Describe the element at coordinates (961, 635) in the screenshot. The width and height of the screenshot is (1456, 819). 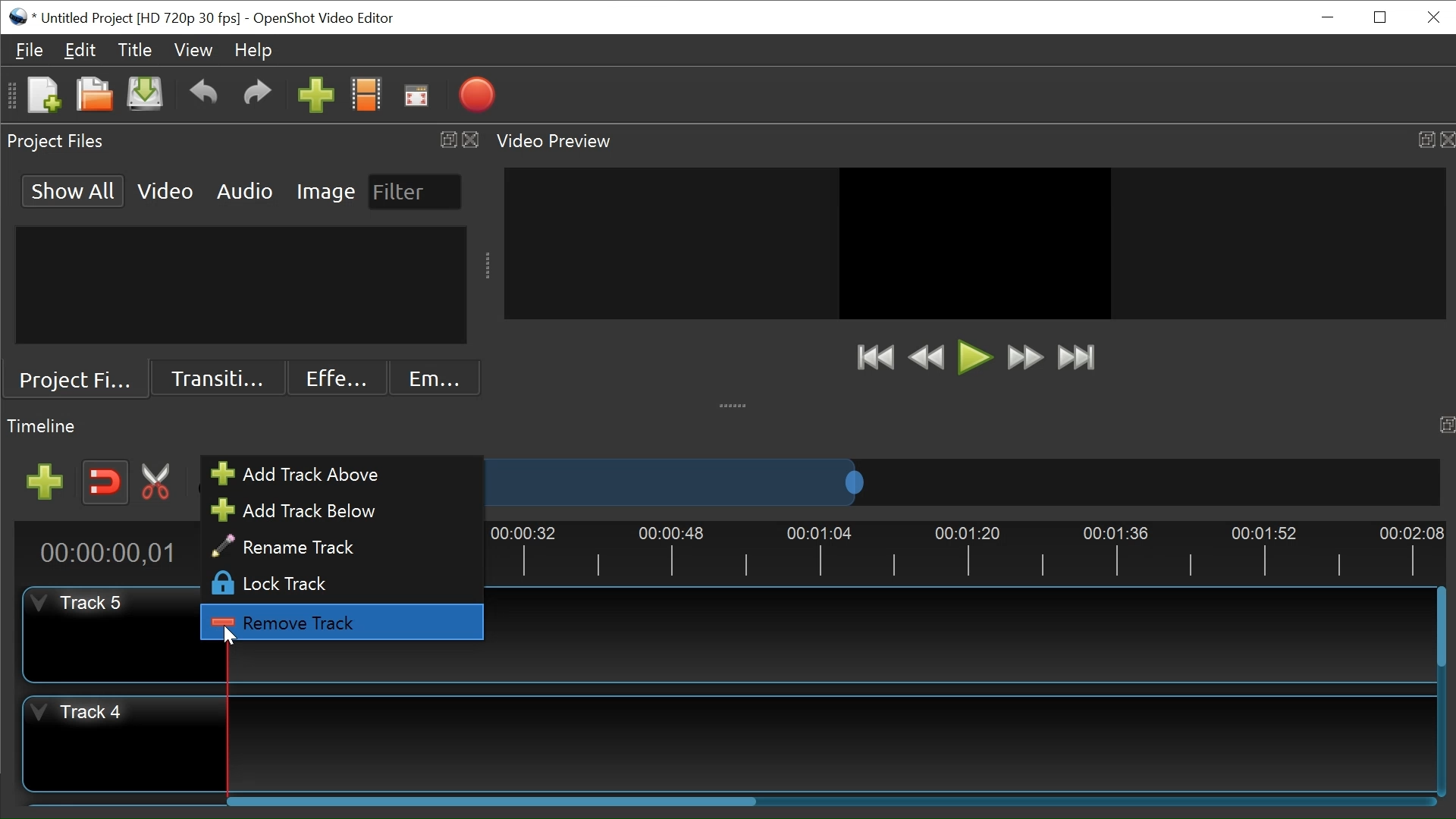
I see `Track Panel` at that location.